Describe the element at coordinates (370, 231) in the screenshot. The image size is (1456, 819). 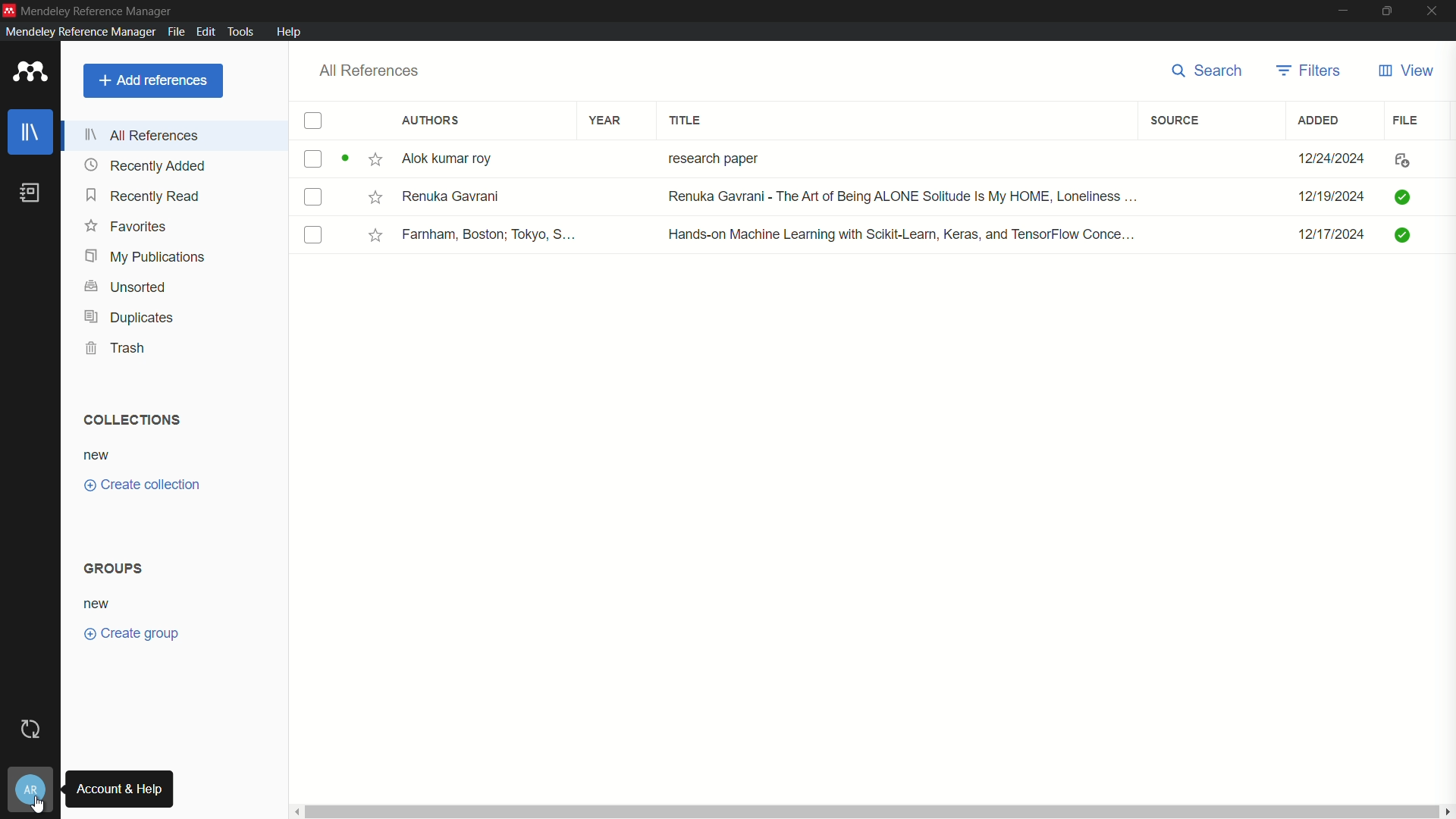
I see `` at that location.